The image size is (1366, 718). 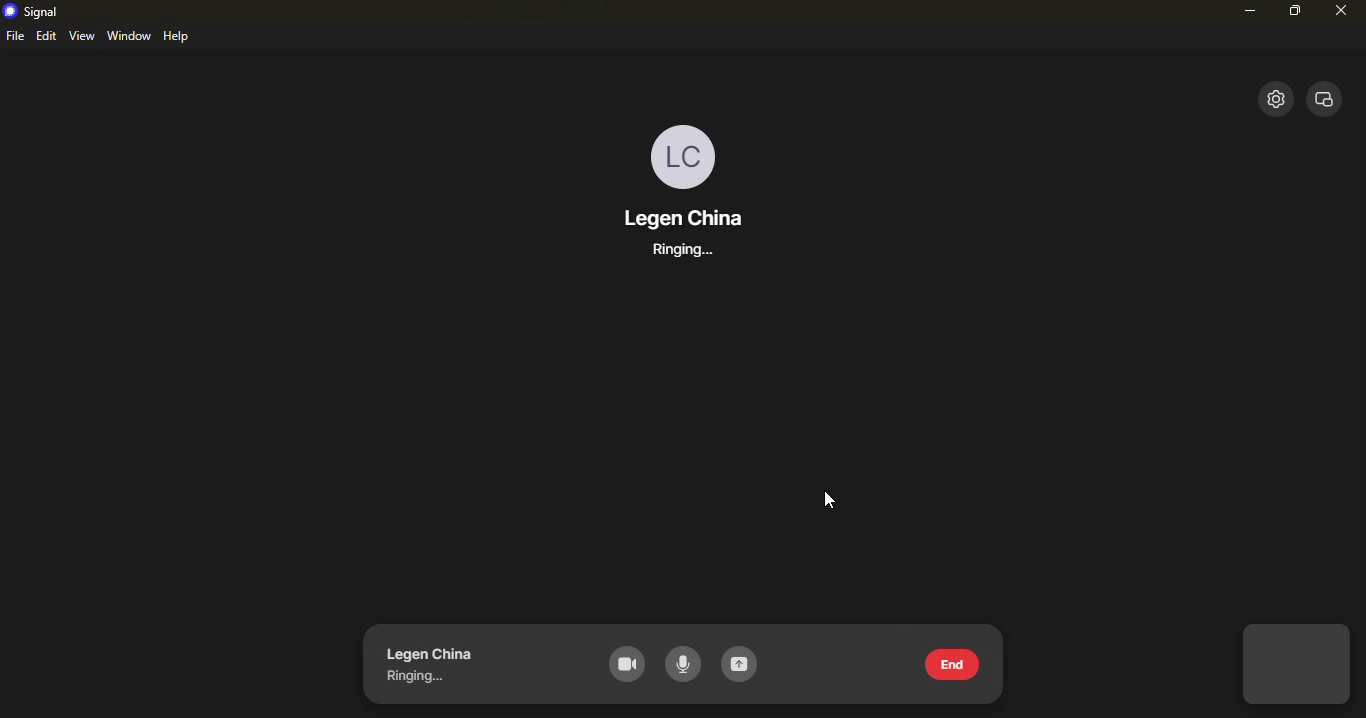 What do you see at coordinates (1327, 101) in the screenshot?
I see `close` at bounding box center [1327, 101].